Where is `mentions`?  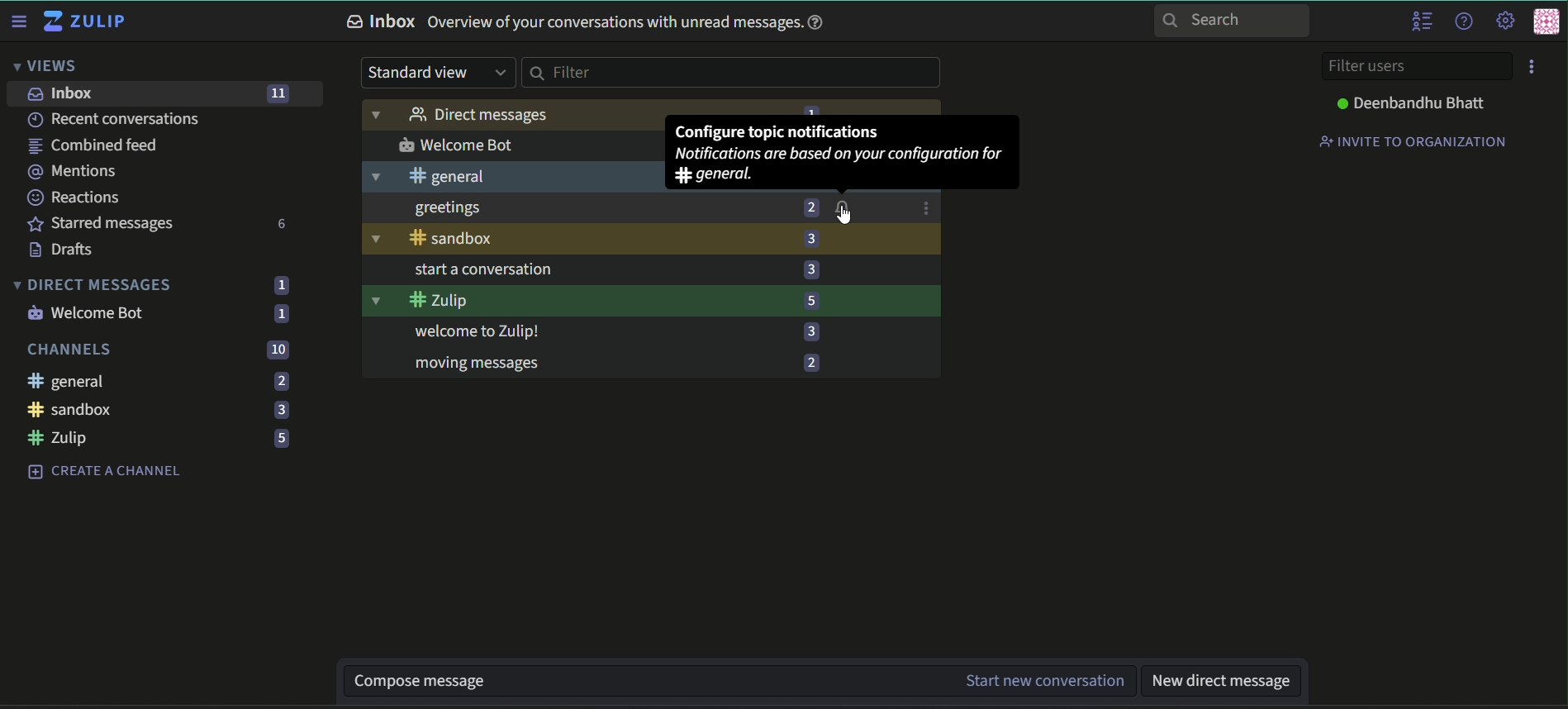
mentions is located at coordinates (78, 172).